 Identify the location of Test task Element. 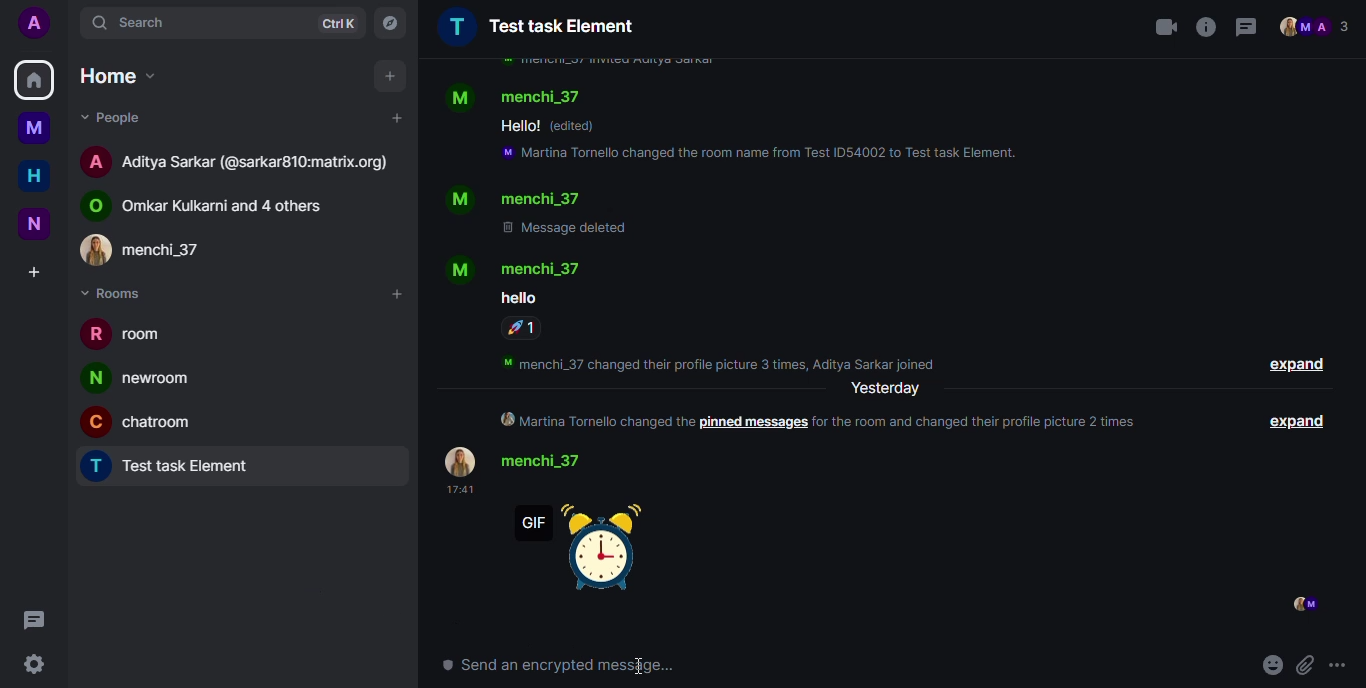
(537, 26).